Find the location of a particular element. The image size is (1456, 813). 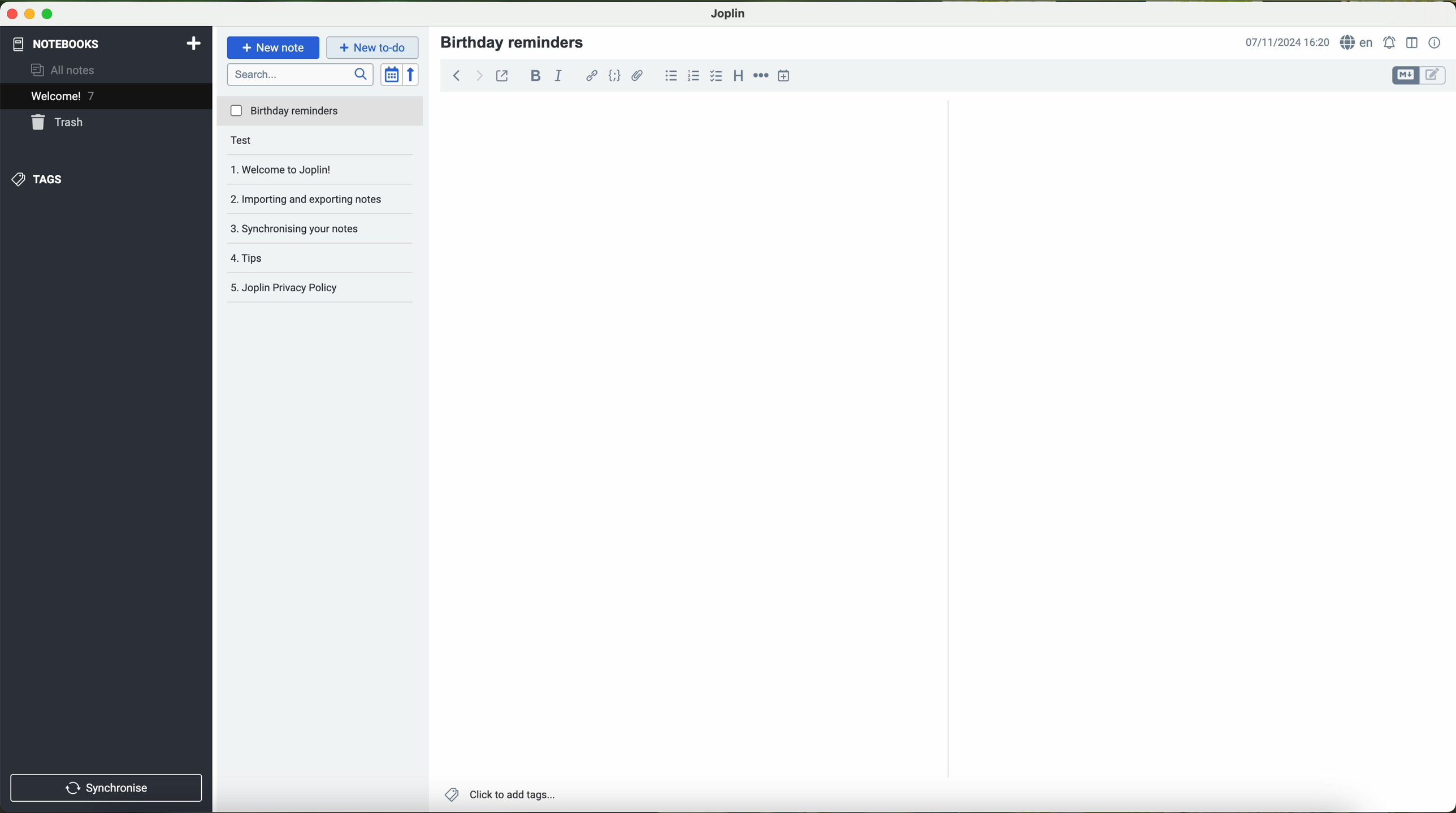

new to-do button is located at coordinates (373, 49).